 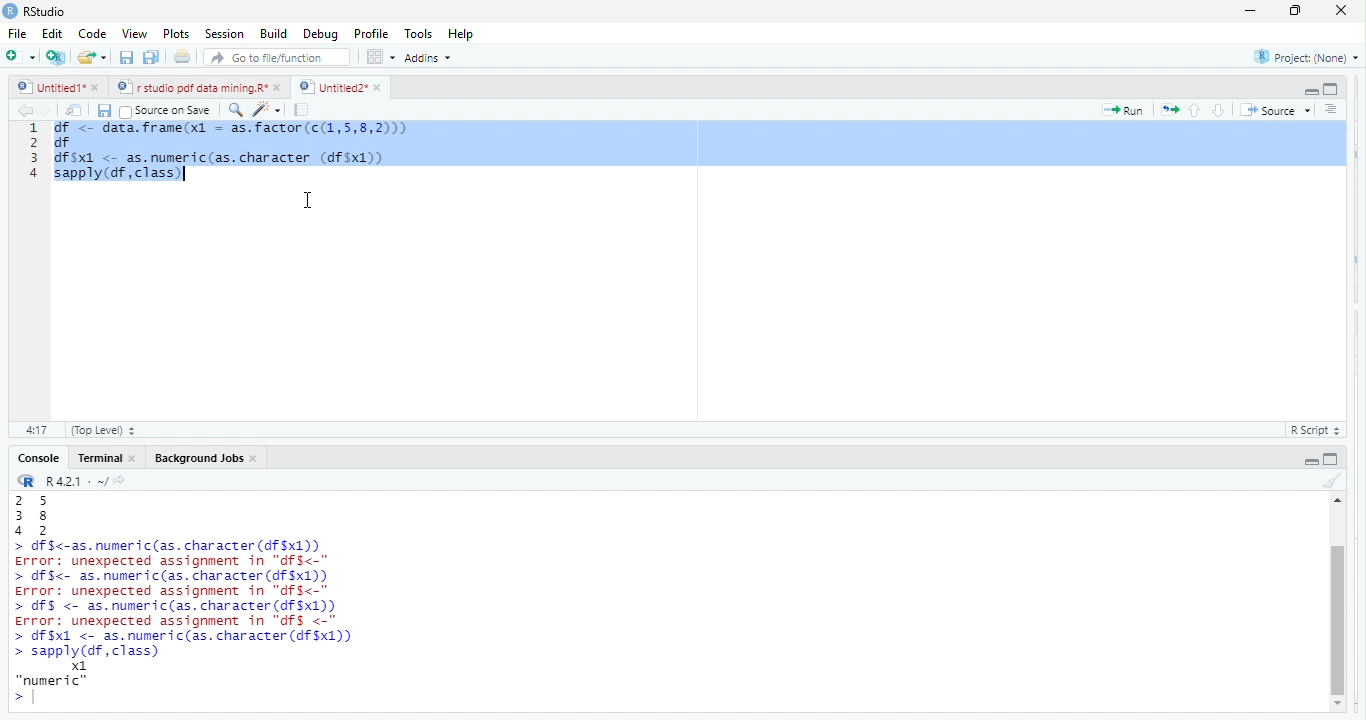 I want to click on r studio, so click(x=46, y=11).